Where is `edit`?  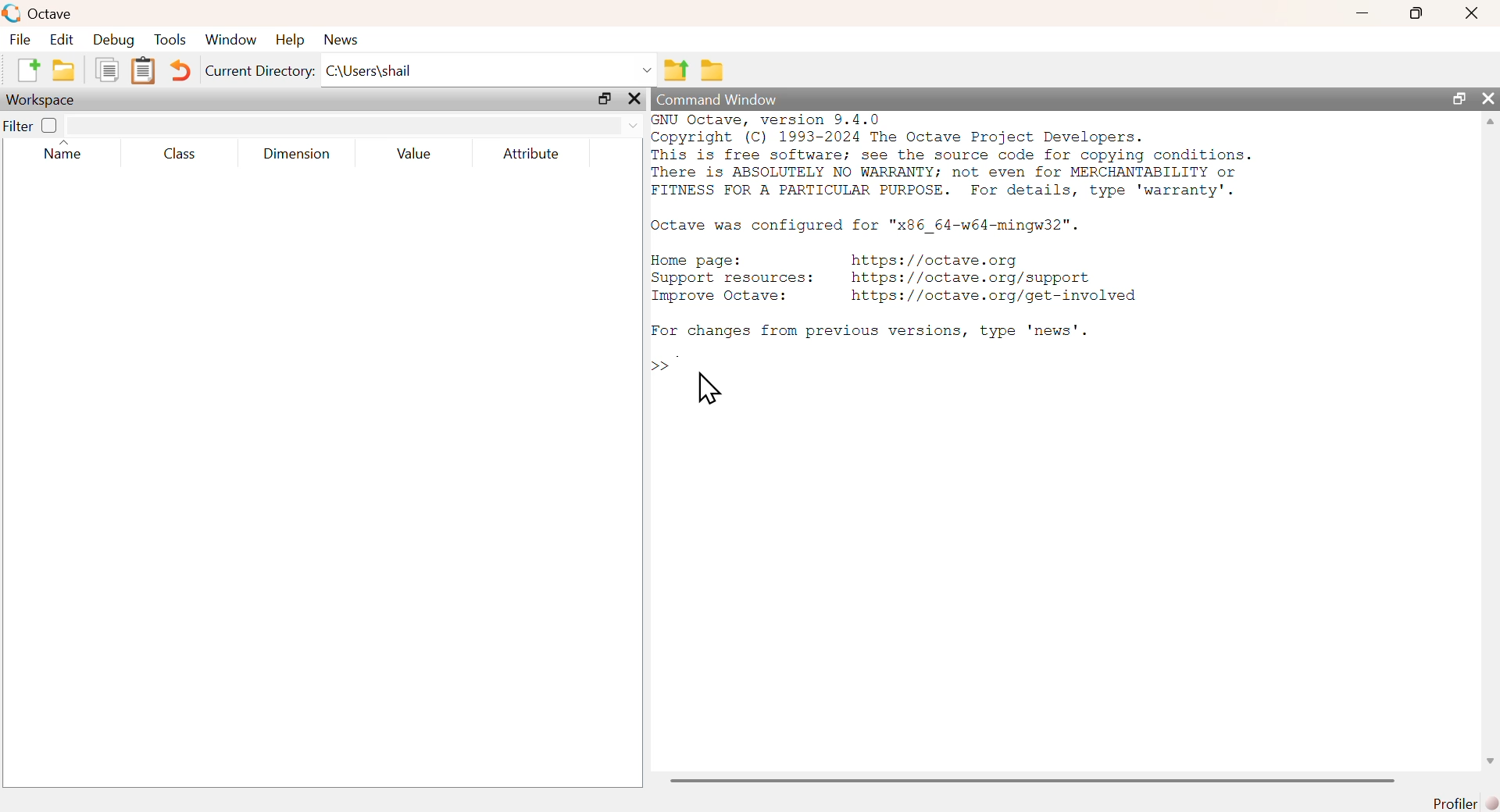
edit is located at coordinates (64, 41).